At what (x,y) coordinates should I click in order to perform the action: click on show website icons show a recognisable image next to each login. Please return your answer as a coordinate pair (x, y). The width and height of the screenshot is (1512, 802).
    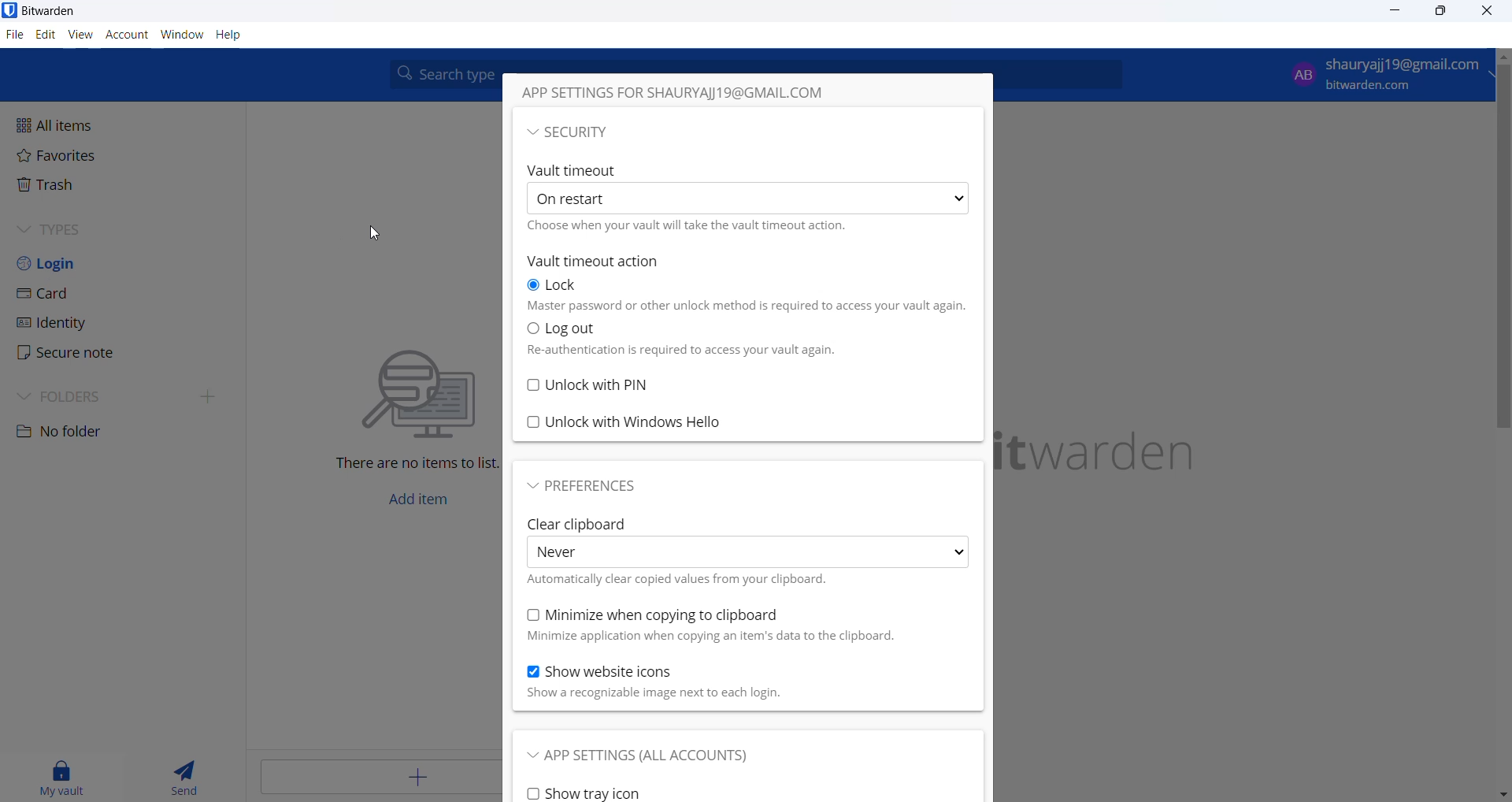
    Looking at the image, I should click on (702, 684).